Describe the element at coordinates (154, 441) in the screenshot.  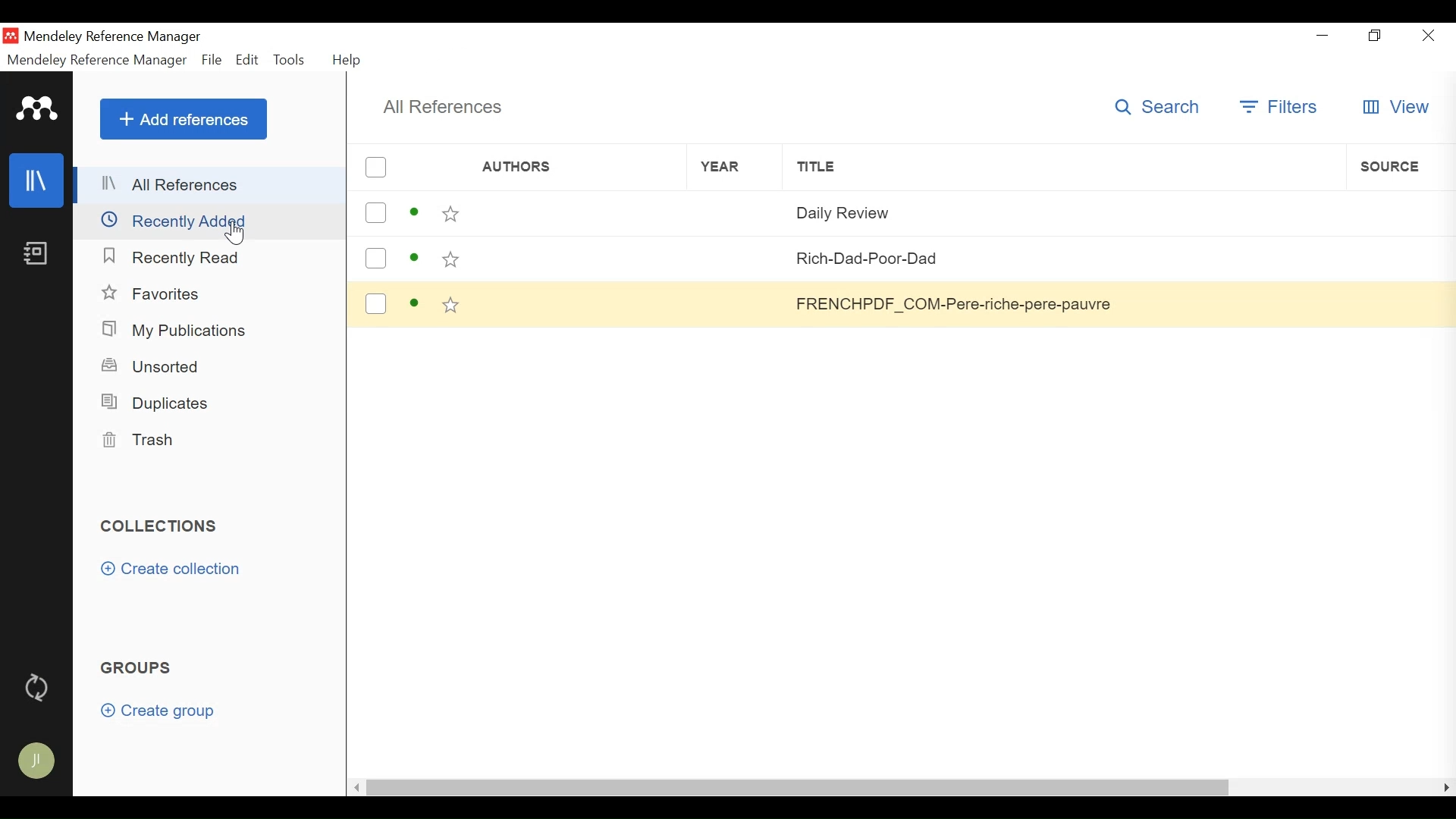
I see `Trash` at that location.